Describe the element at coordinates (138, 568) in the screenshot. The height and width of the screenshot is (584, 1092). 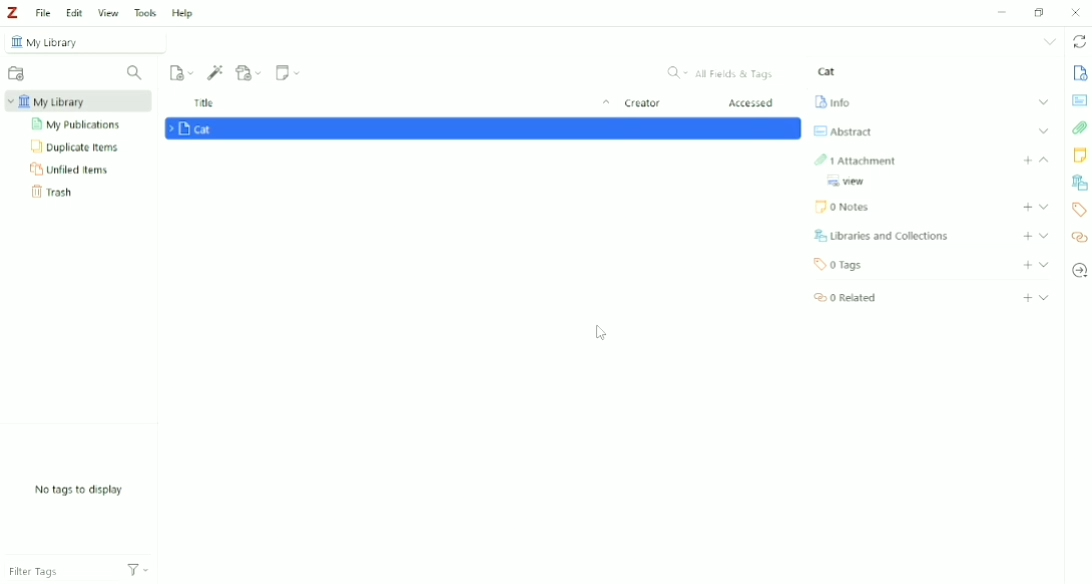
I see `Actions` at that location.